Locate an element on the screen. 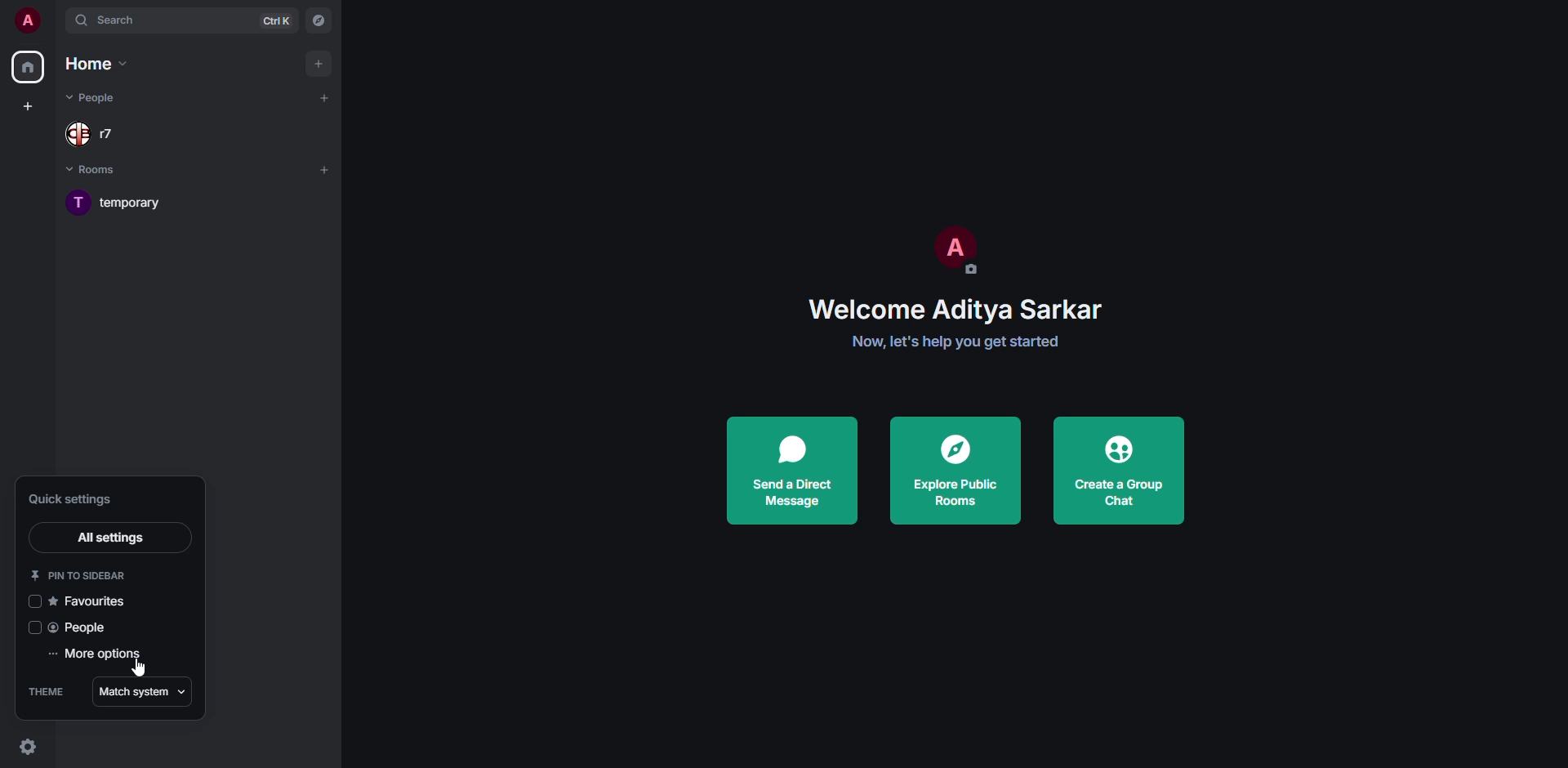  quick settings is located at coordinates (72, 498).